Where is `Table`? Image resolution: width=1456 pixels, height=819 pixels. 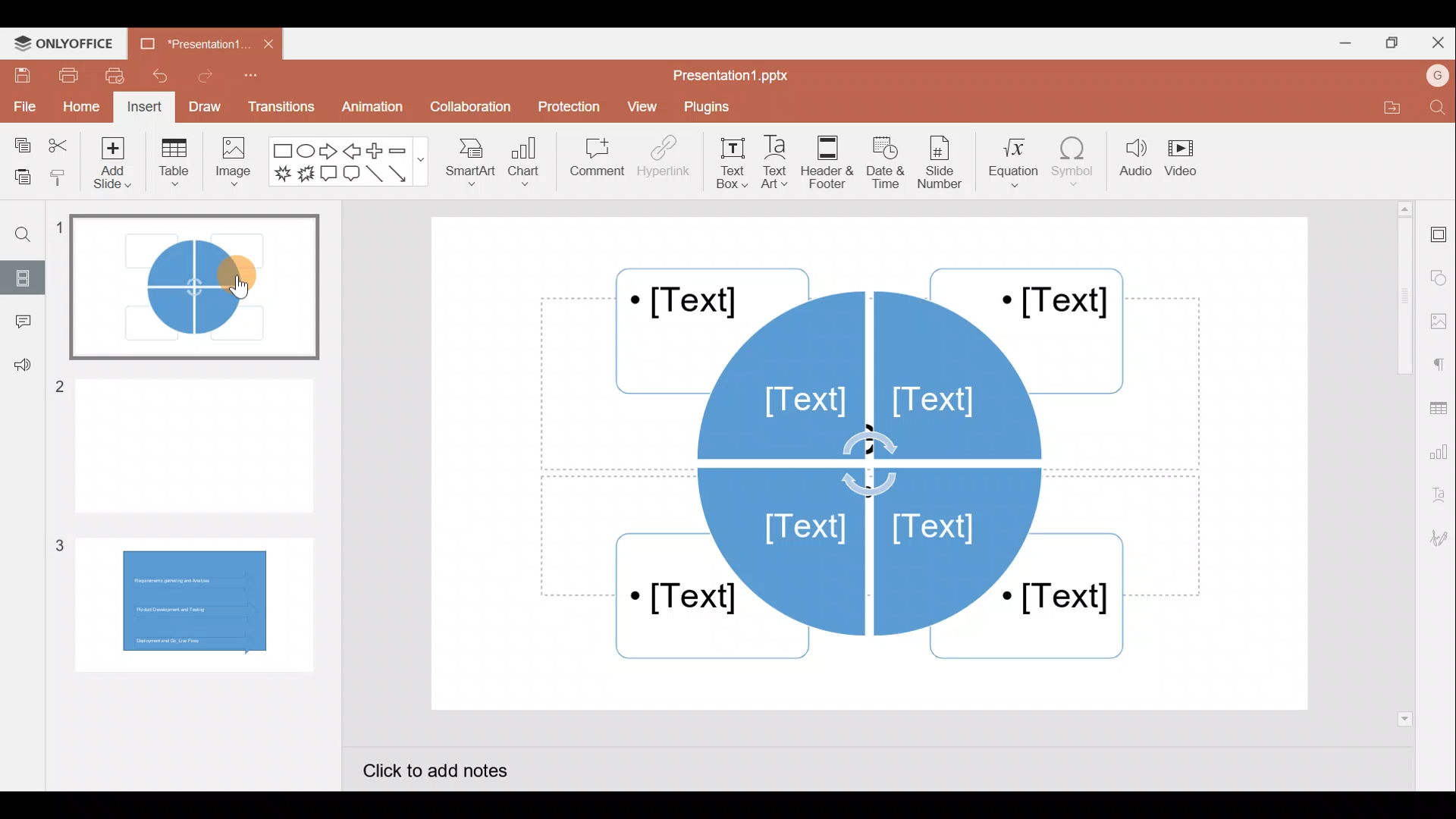 Table is located at coordinates (174, 165).